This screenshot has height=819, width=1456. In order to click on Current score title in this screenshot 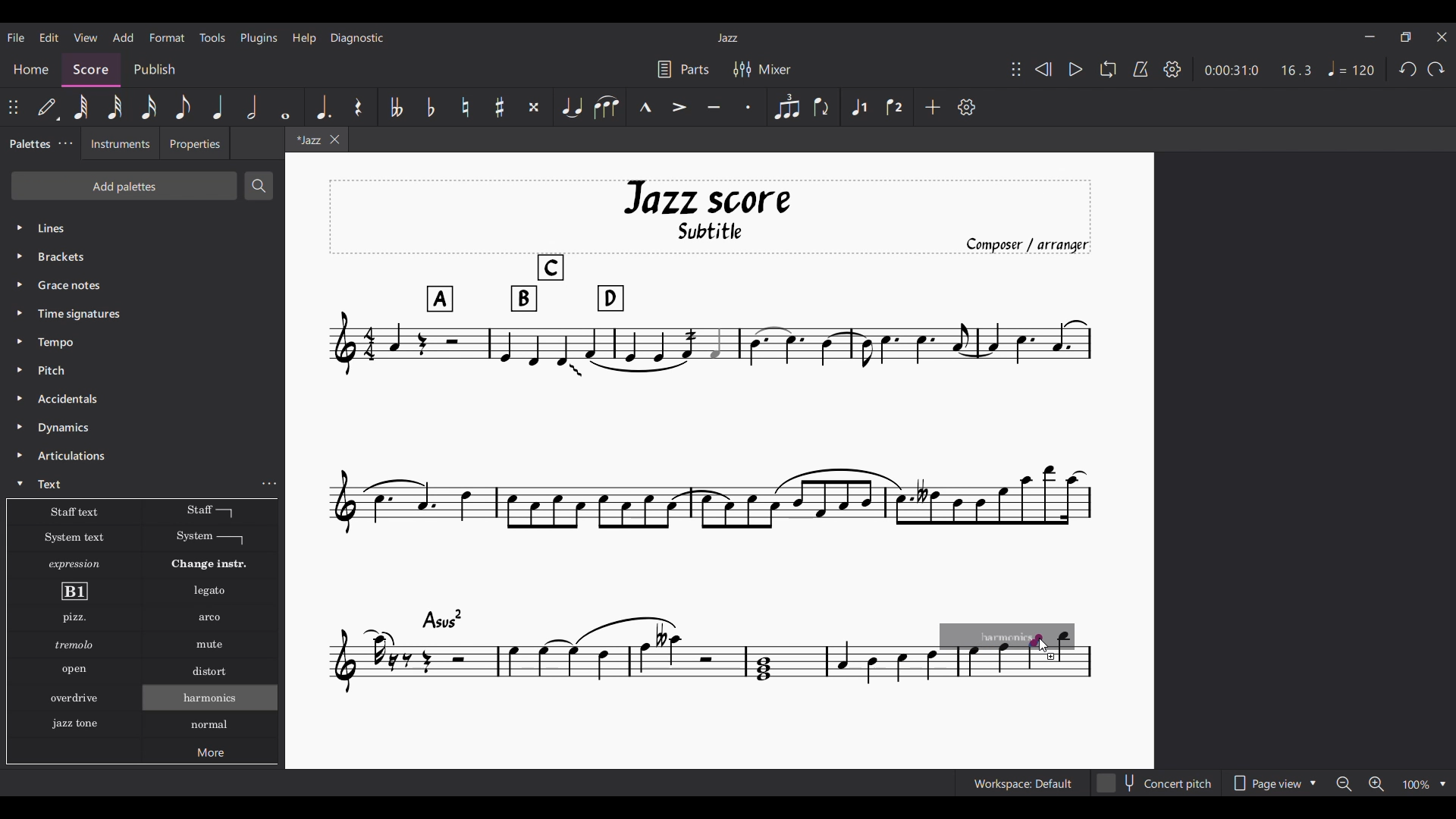, I will do `click(728, 38)`.